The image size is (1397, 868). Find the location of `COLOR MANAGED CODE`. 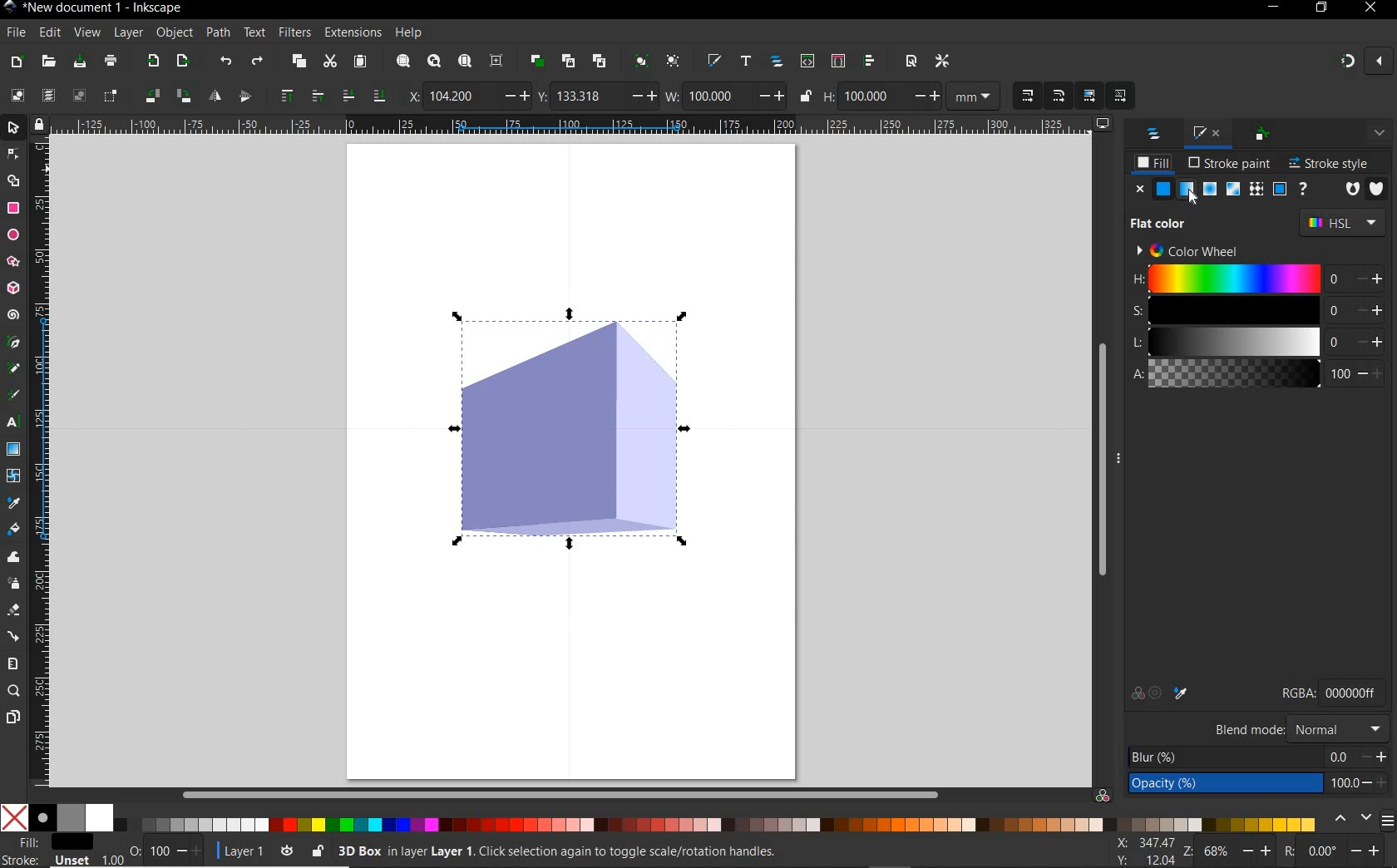

COLOR MANAGED CODE is located at coordinates (1354, 692).